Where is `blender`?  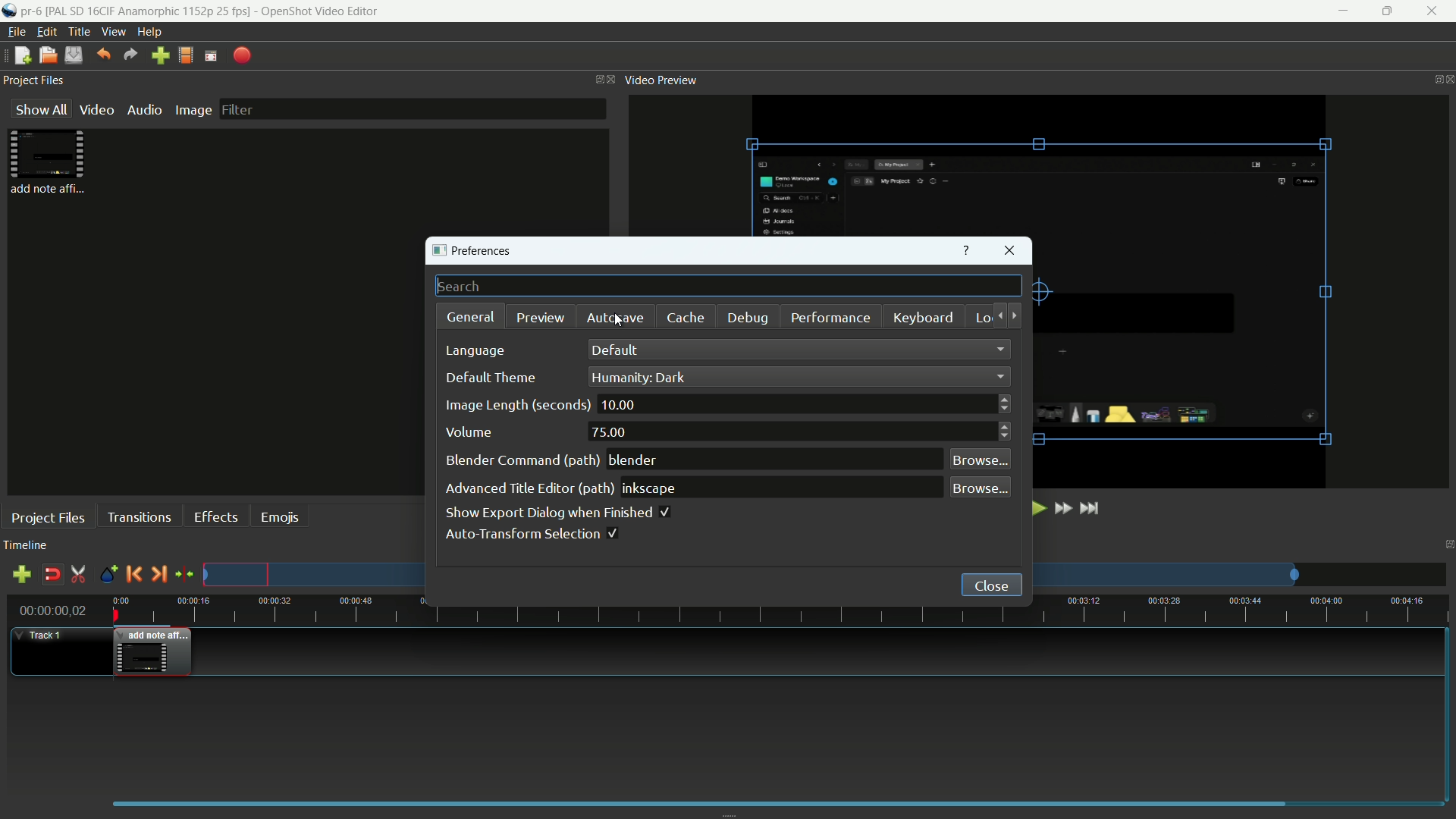 blender is located at coordinates (634, 460).